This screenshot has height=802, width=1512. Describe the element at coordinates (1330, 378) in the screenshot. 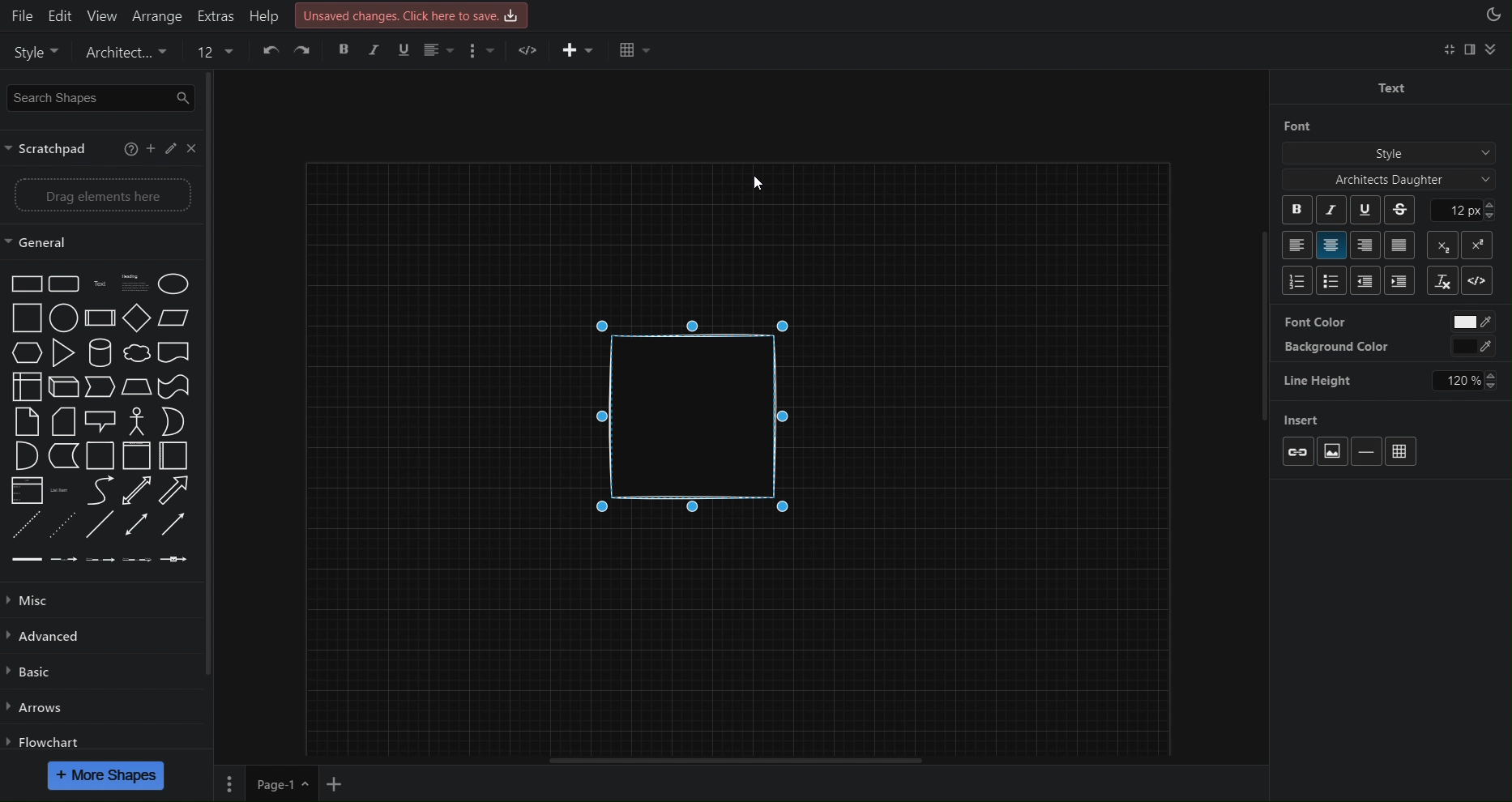

I see `Line Height` at that location.